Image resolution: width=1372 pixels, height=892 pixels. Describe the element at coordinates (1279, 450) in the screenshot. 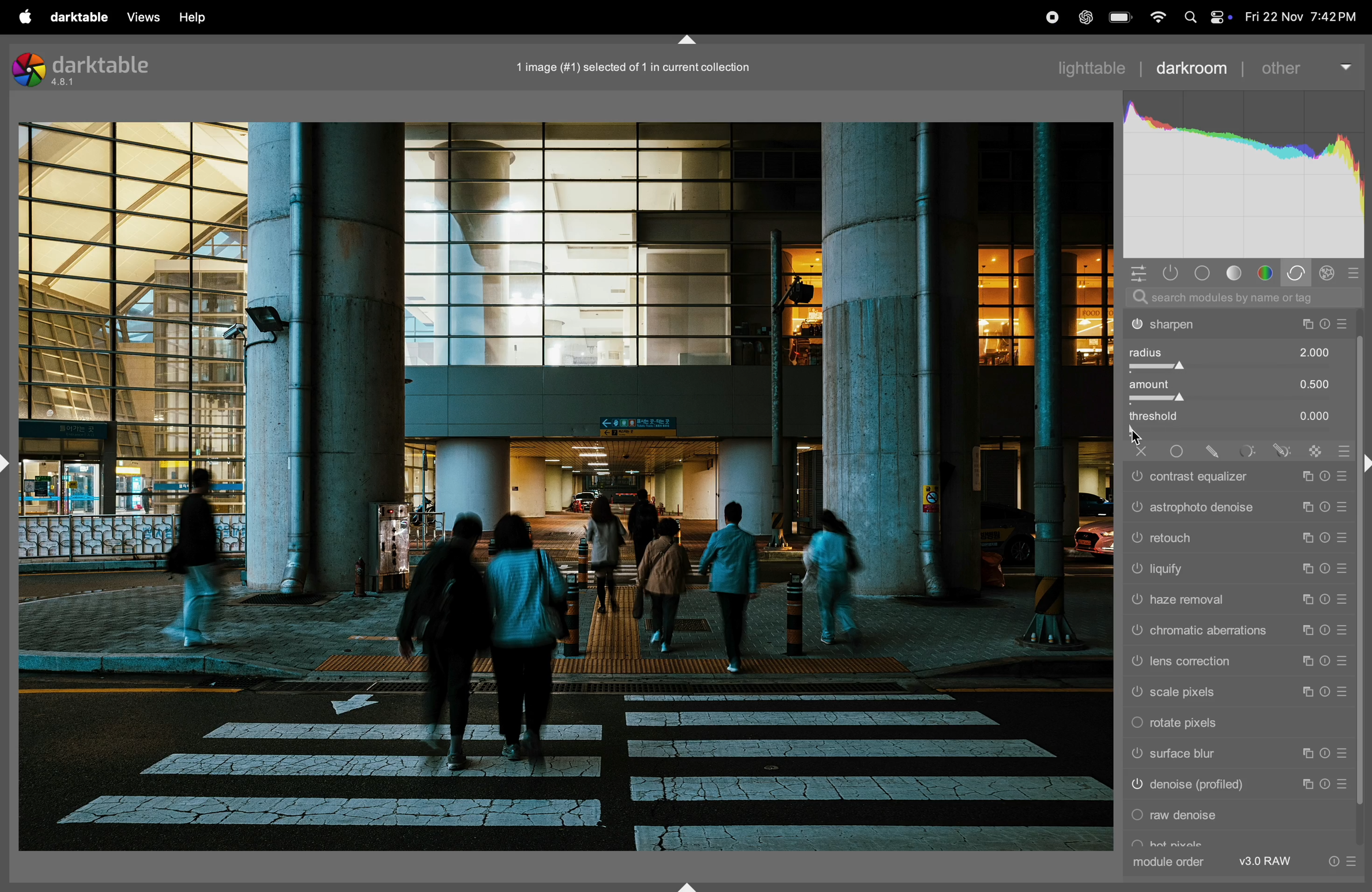

I see `draw a parametric mask` at that location.